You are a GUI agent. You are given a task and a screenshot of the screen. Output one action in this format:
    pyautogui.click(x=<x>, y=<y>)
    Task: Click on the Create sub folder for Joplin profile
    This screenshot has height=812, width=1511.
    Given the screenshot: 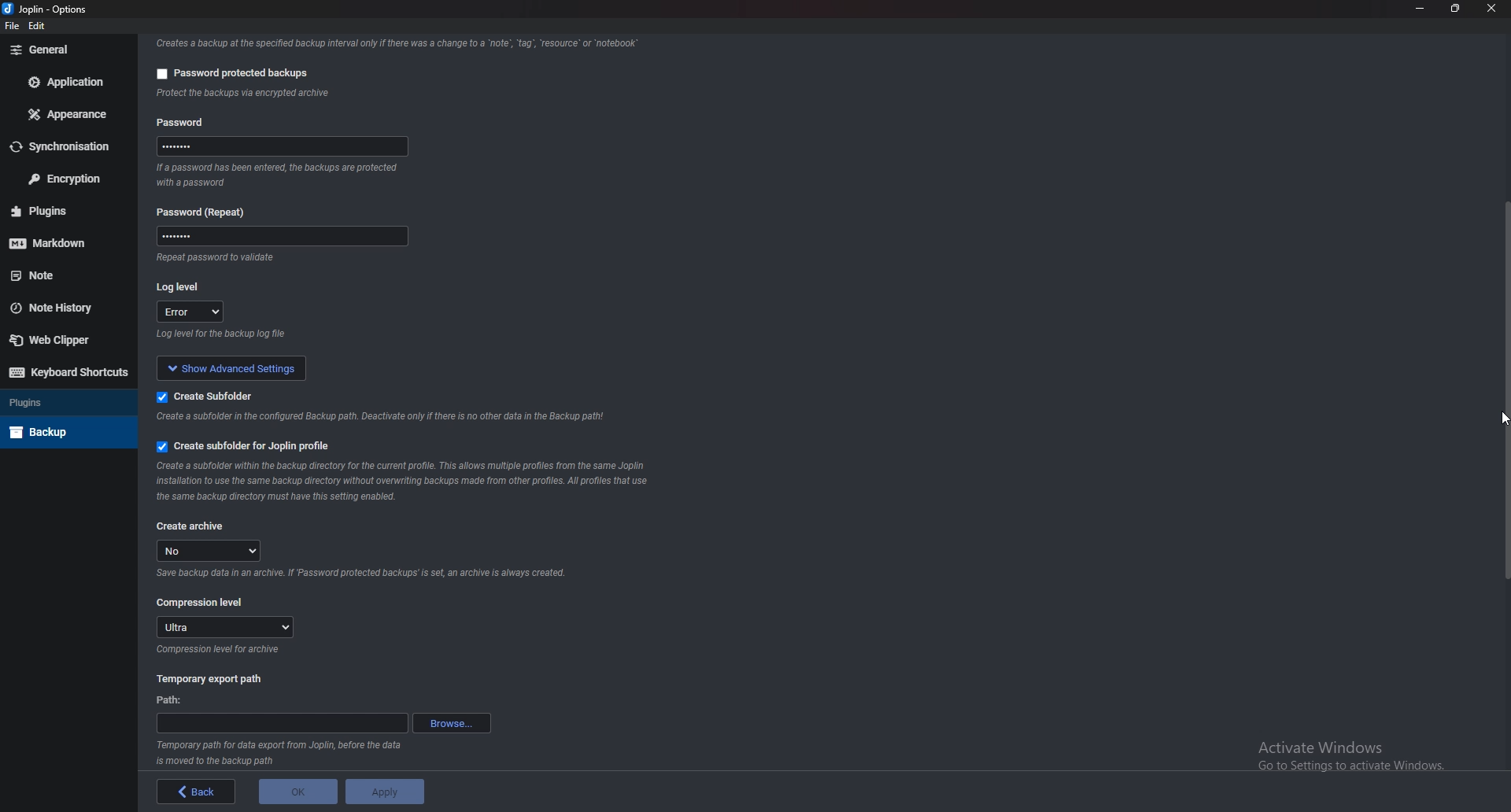 What is the action you would take?
    pyautogui.click(x=242, y=447)
    